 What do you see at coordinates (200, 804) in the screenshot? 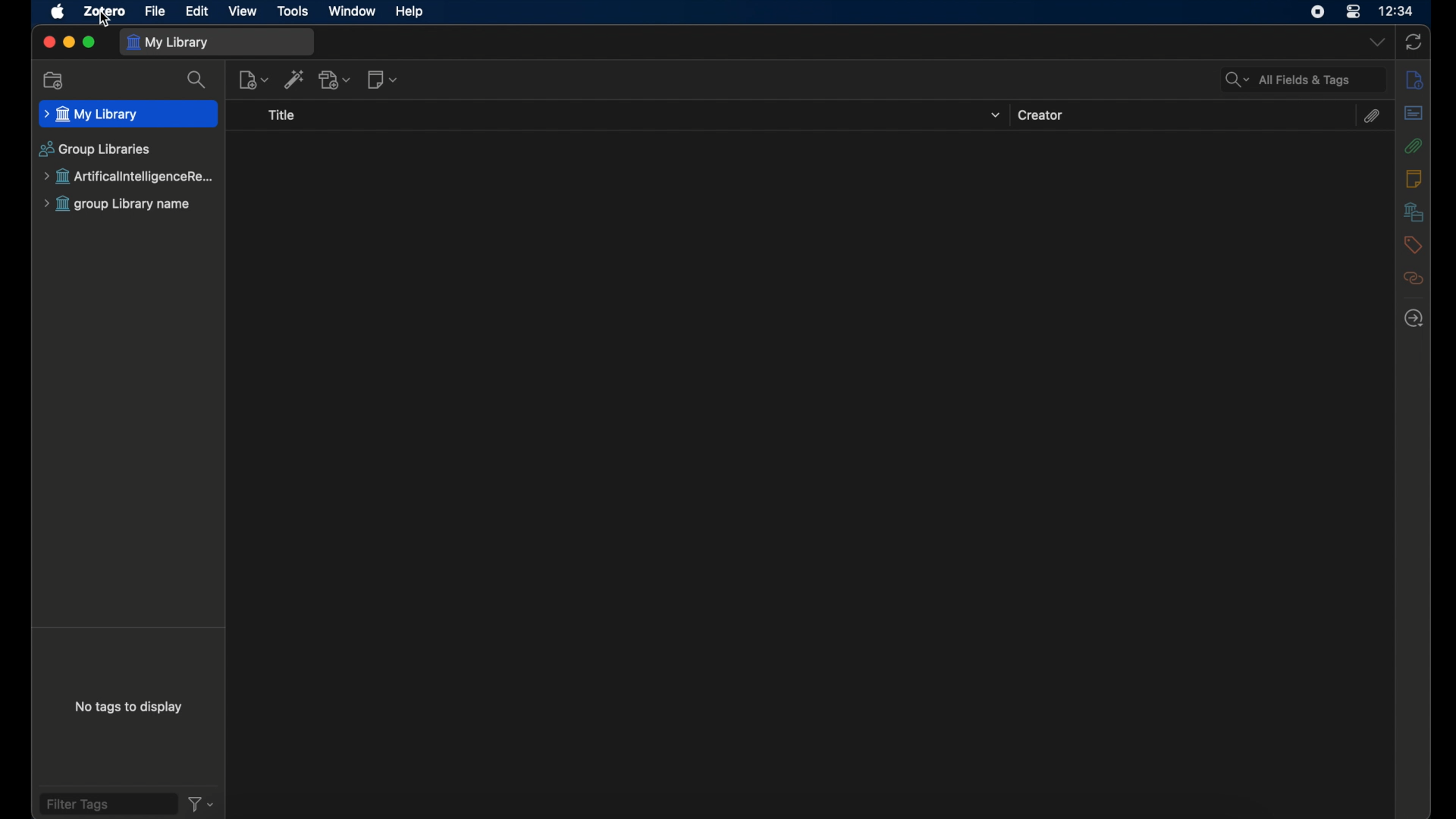
I see `filter` at bounding box center [200, 804].